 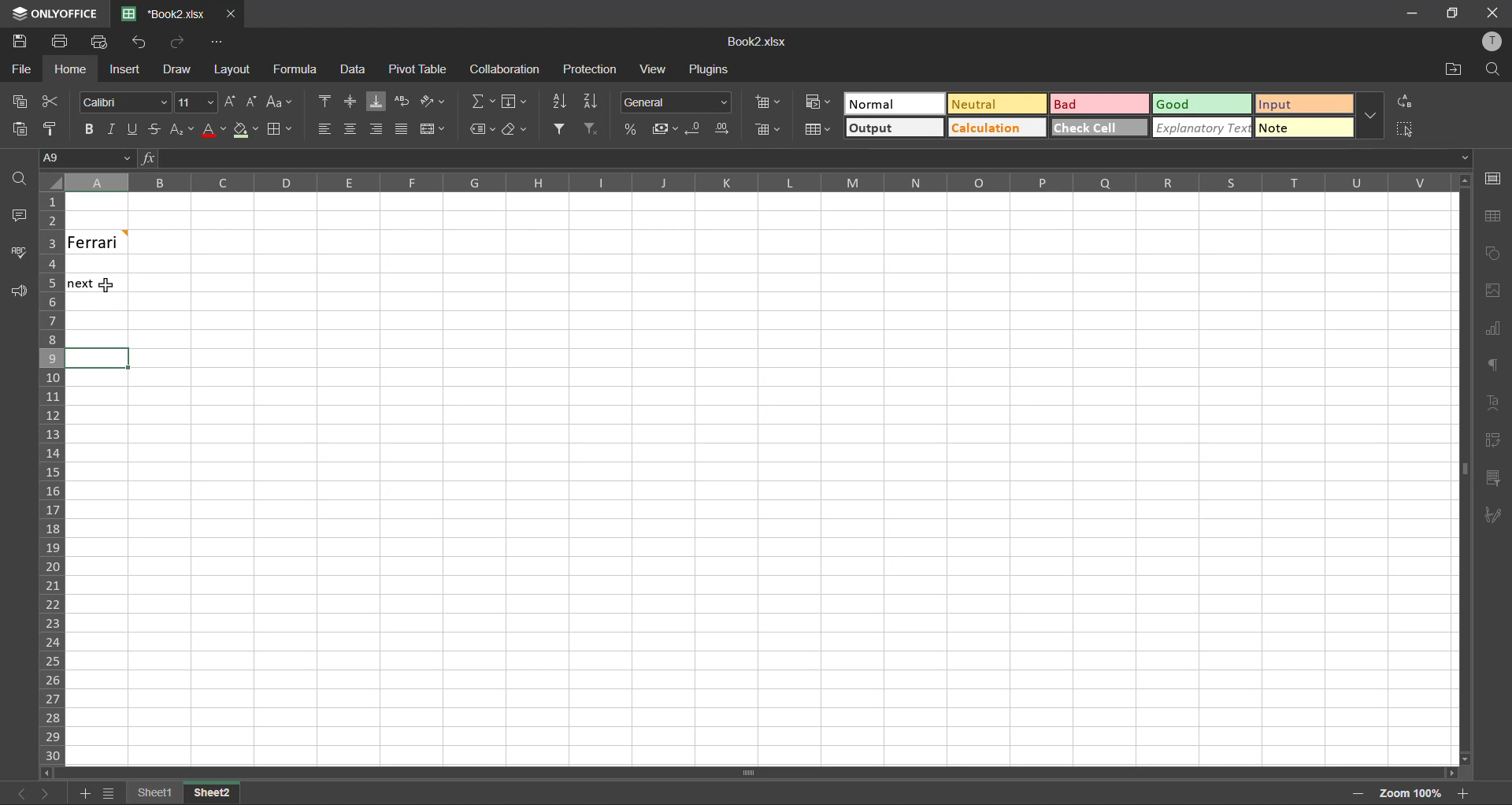 What do you see at coordinates (665, 129) in the screenshot?
I see `accounting` at bounding box center [665, 129].